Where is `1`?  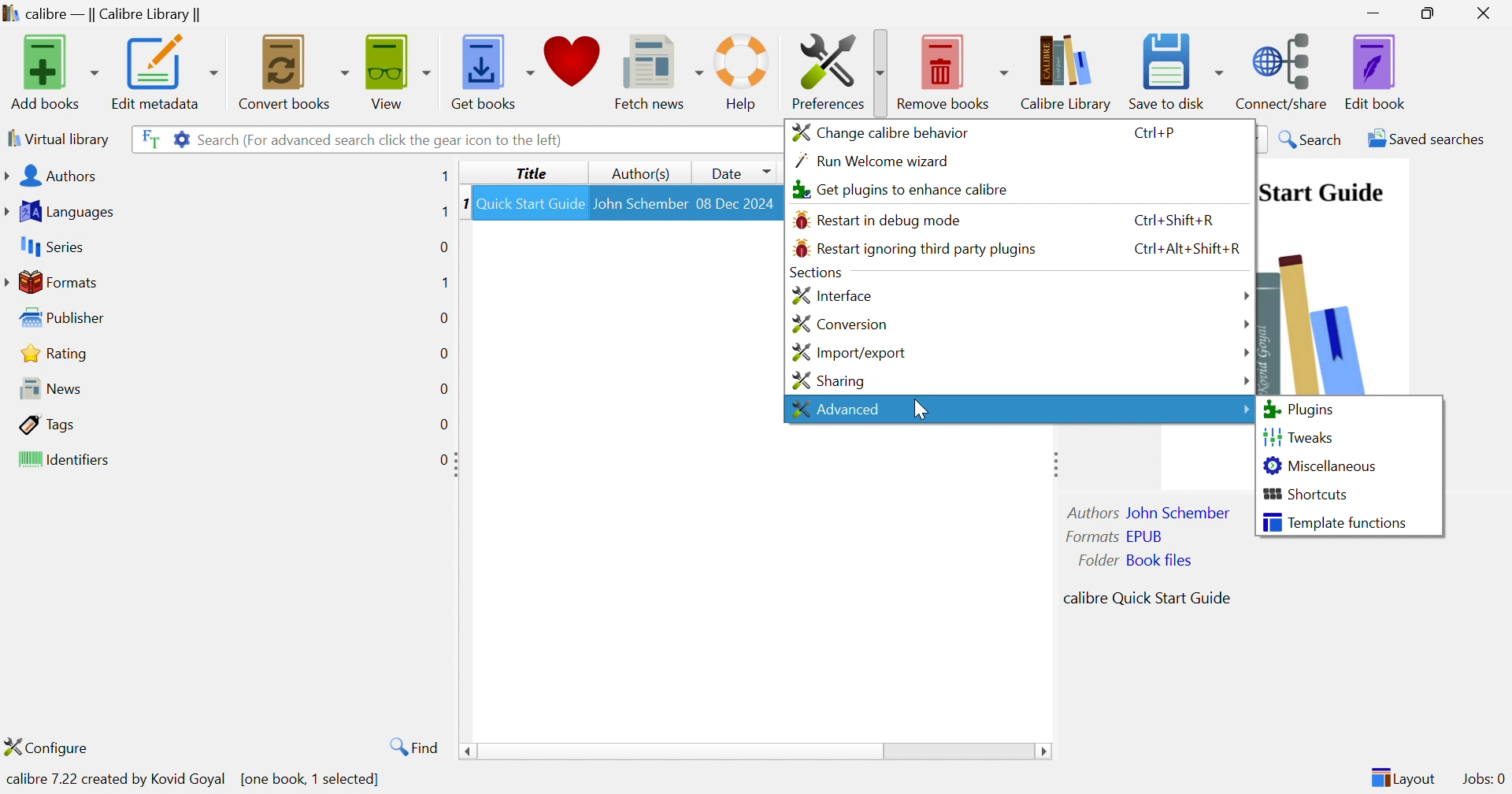 1 is located at coordinates (443, 281).